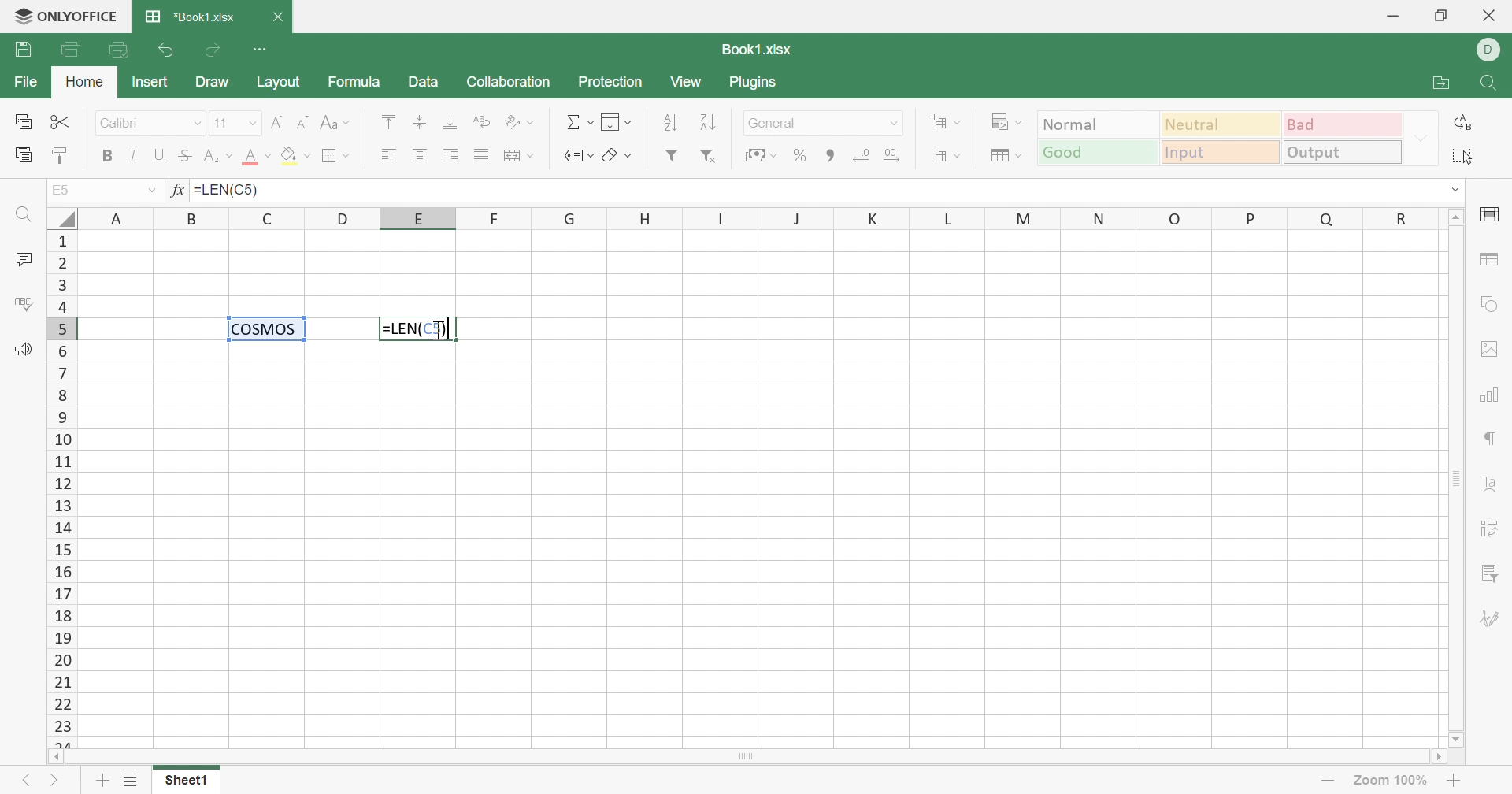 The width and height of the screenshot is (1512, 794). Describe the element at coordinates (187, 783) in the screenshot. I see `Sheet1` at that location.